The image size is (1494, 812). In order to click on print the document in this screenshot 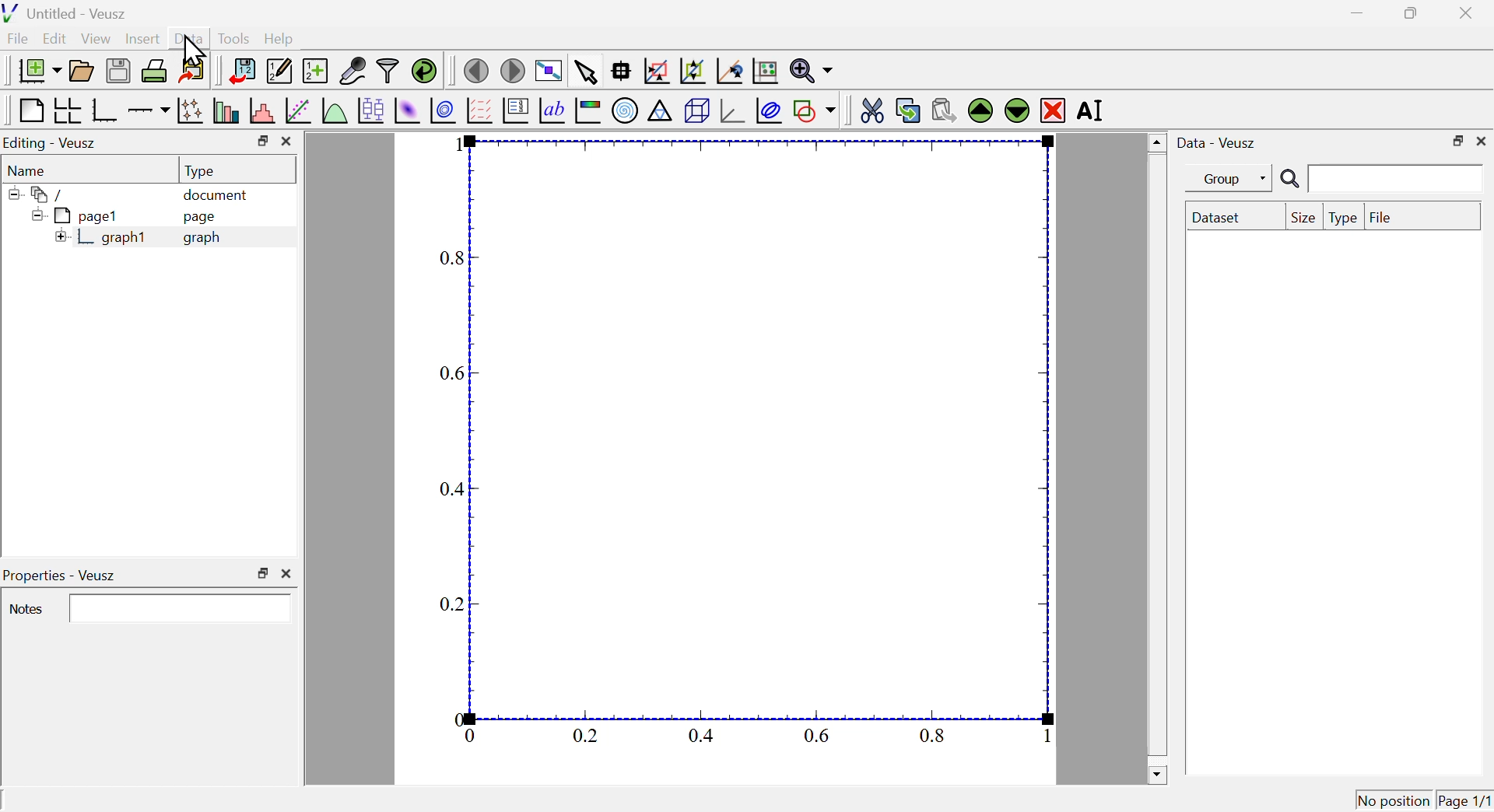, I will do `click(156, 71)`.